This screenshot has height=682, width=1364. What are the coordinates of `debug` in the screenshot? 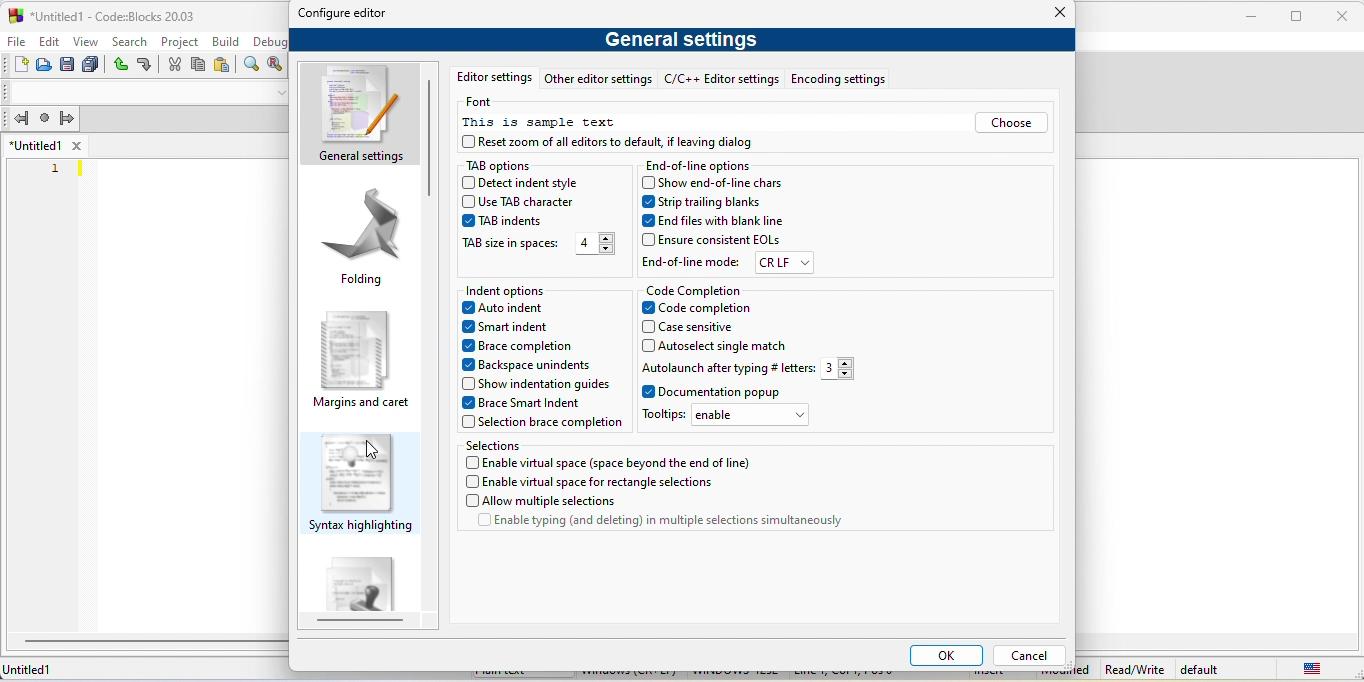 It's located at (270, 41).